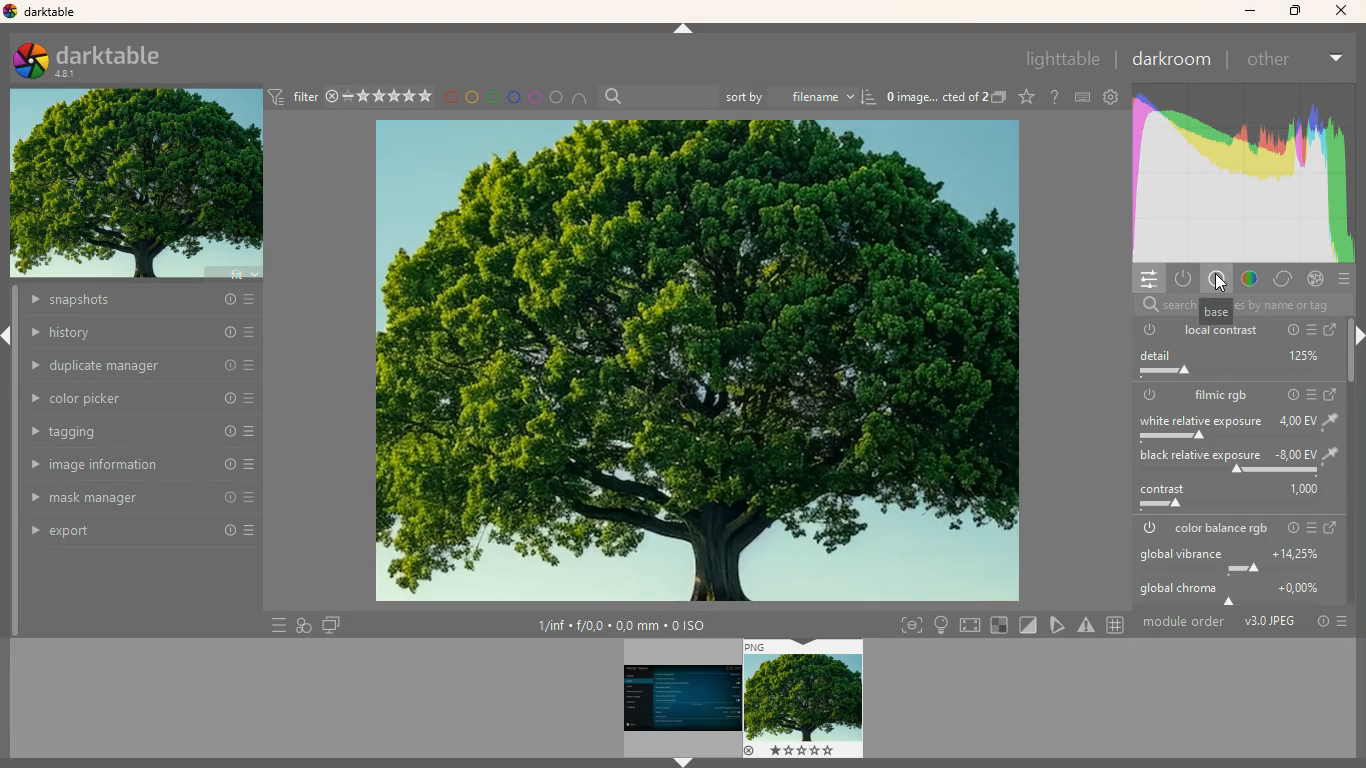 The image size is (1366, 768). What do you see at coordinates (1311, 395) in the screenshot?
I see `more` at bounding box center [1311, 395].